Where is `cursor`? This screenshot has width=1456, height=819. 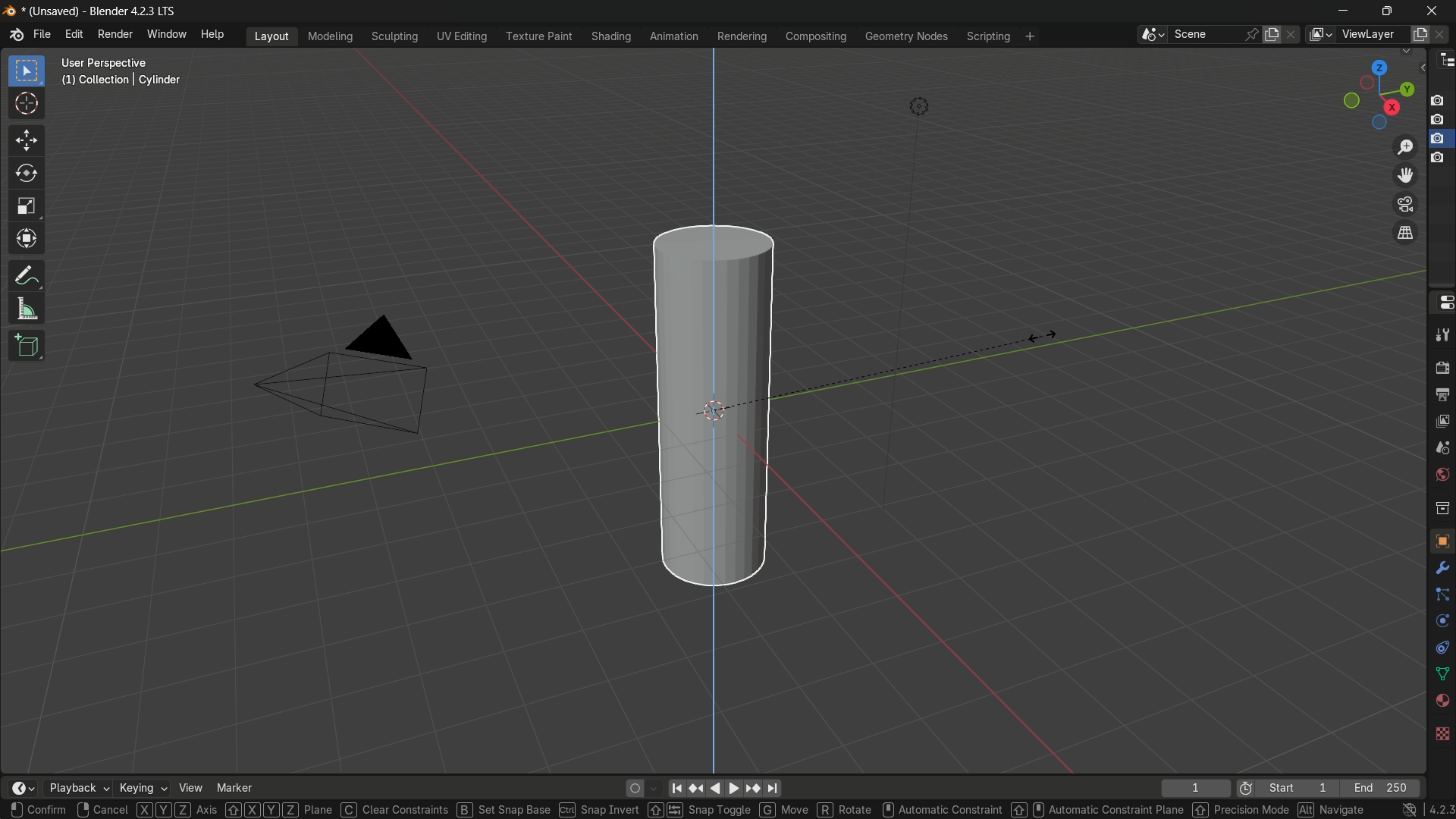
cursor is located at coordinates (27, 105).